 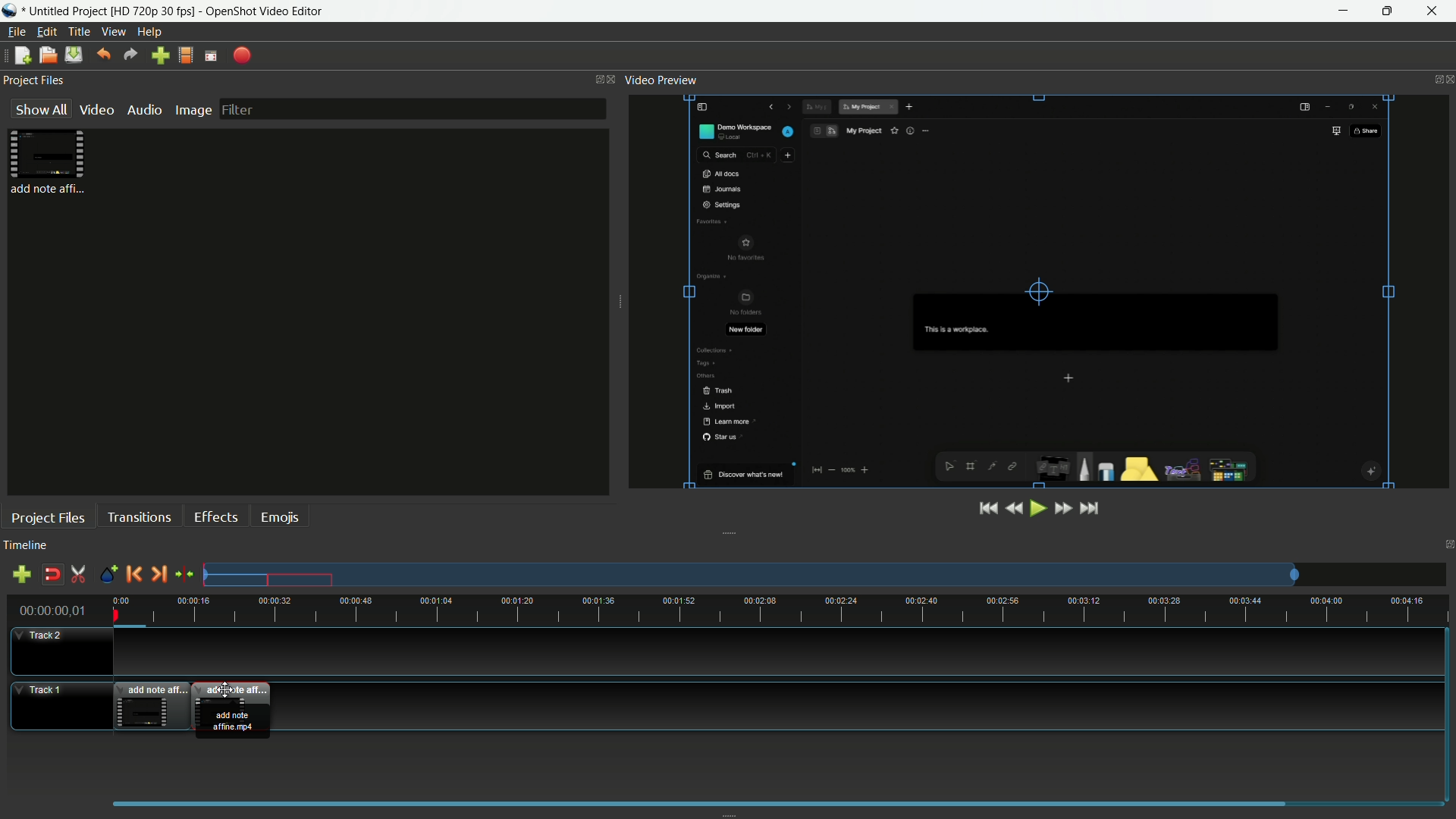 What do you see at coordinates (664, 80) in the screenshot?
I see `video preview` at bounding box center [664, 80].